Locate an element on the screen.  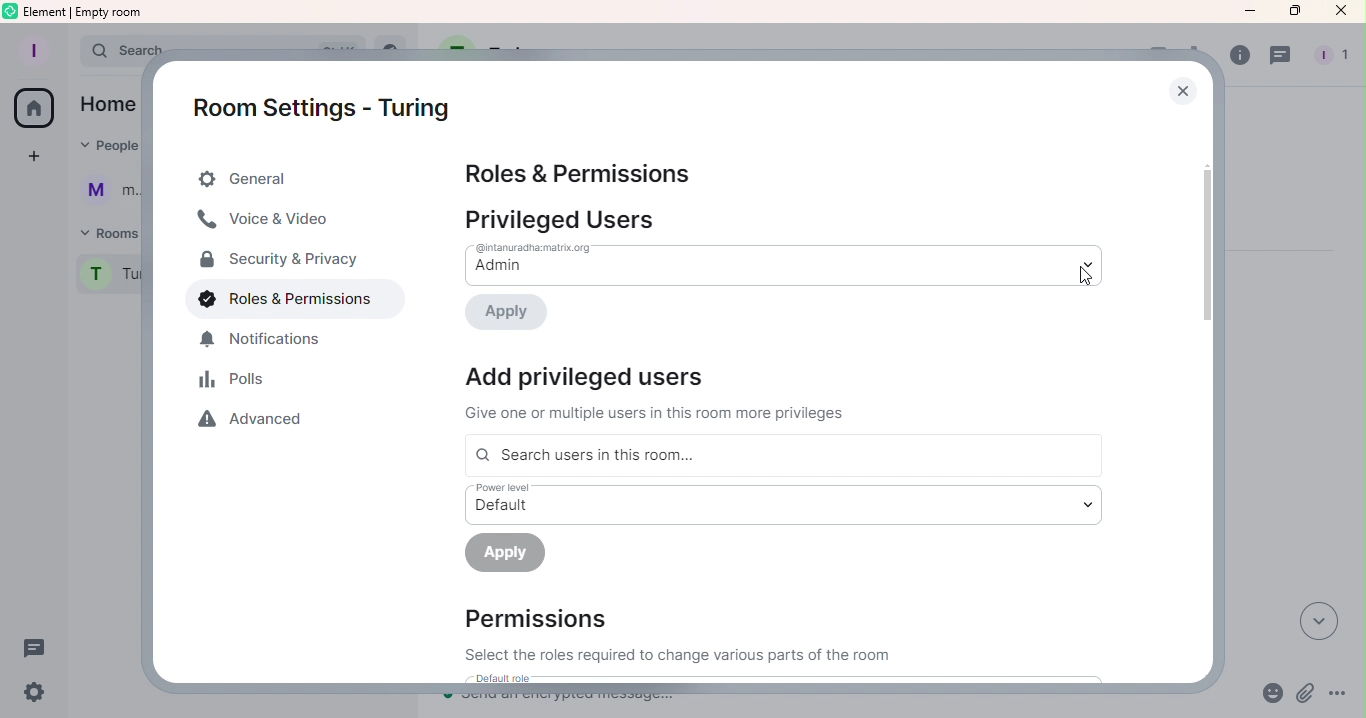
home is located at coordinates (112, 105).